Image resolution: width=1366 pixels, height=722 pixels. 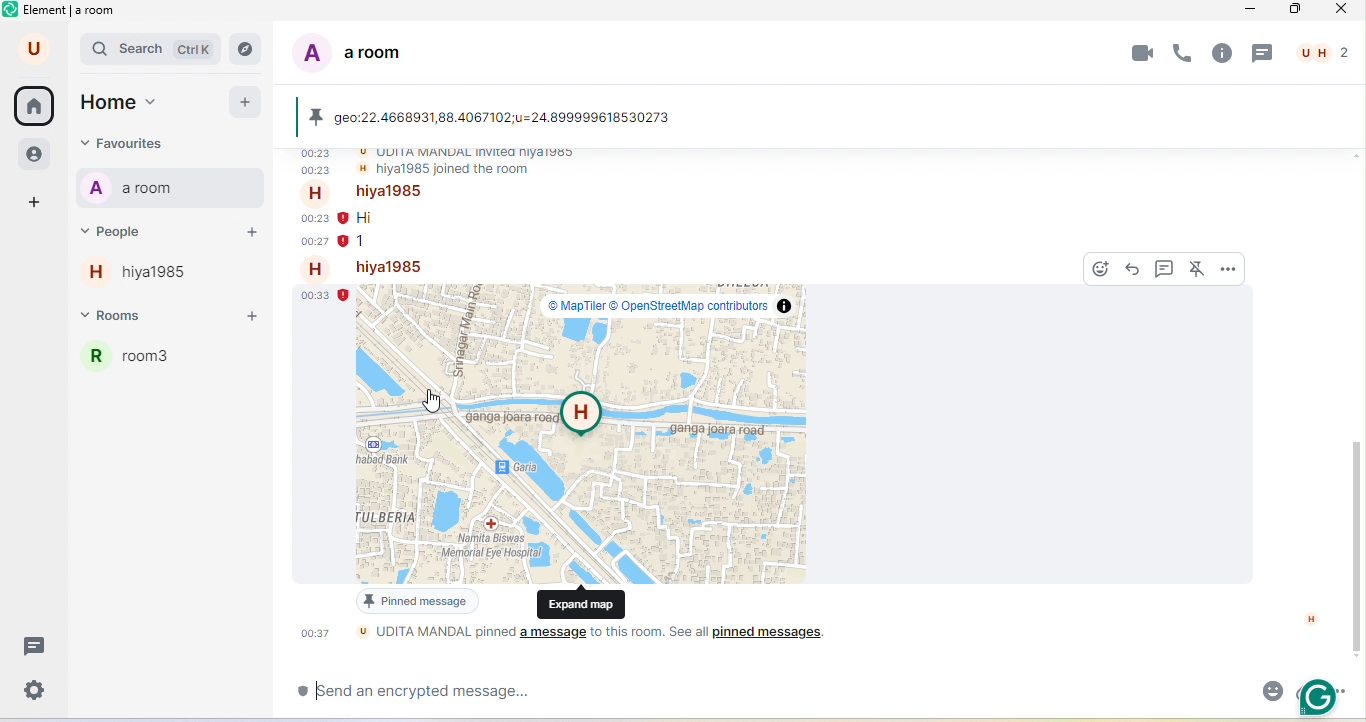 What do you see at coordinates (1265, 54) in the screenshot?
I see `threads` at bounding box center [1265, 54].